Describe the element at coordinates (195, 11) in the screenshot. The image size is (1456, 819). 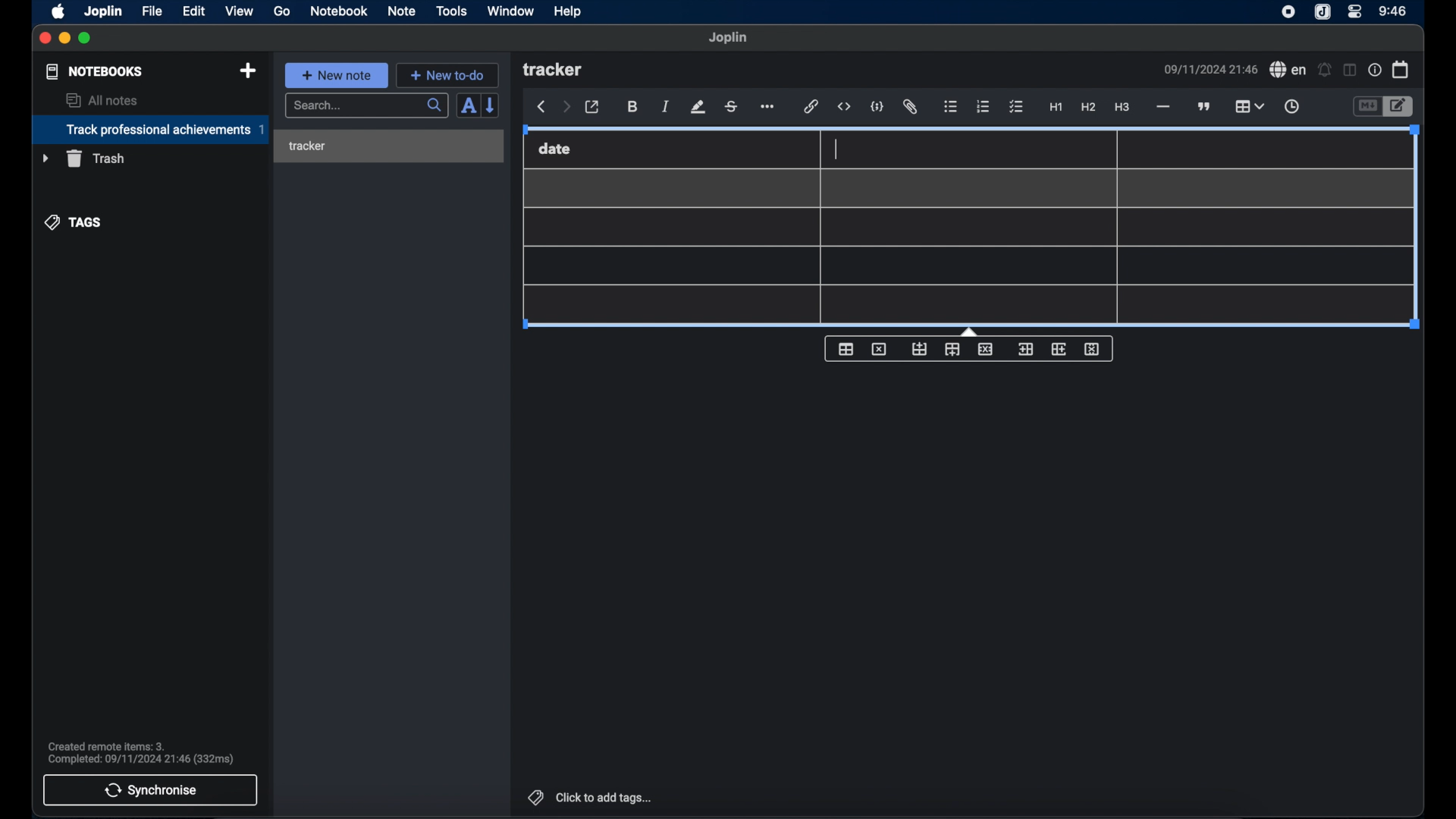
I see `edit` at that location.